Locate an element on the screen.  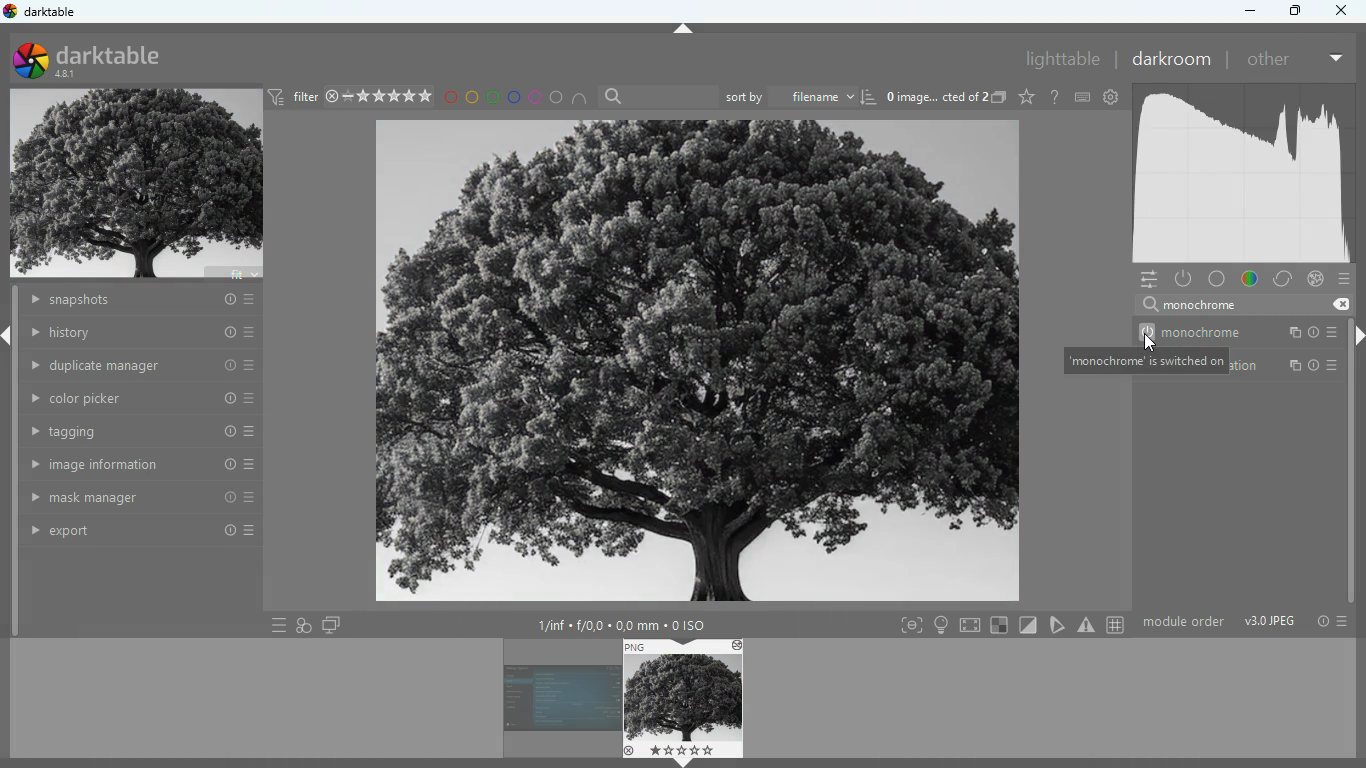
minimize is located at coordinates (1247, 10).